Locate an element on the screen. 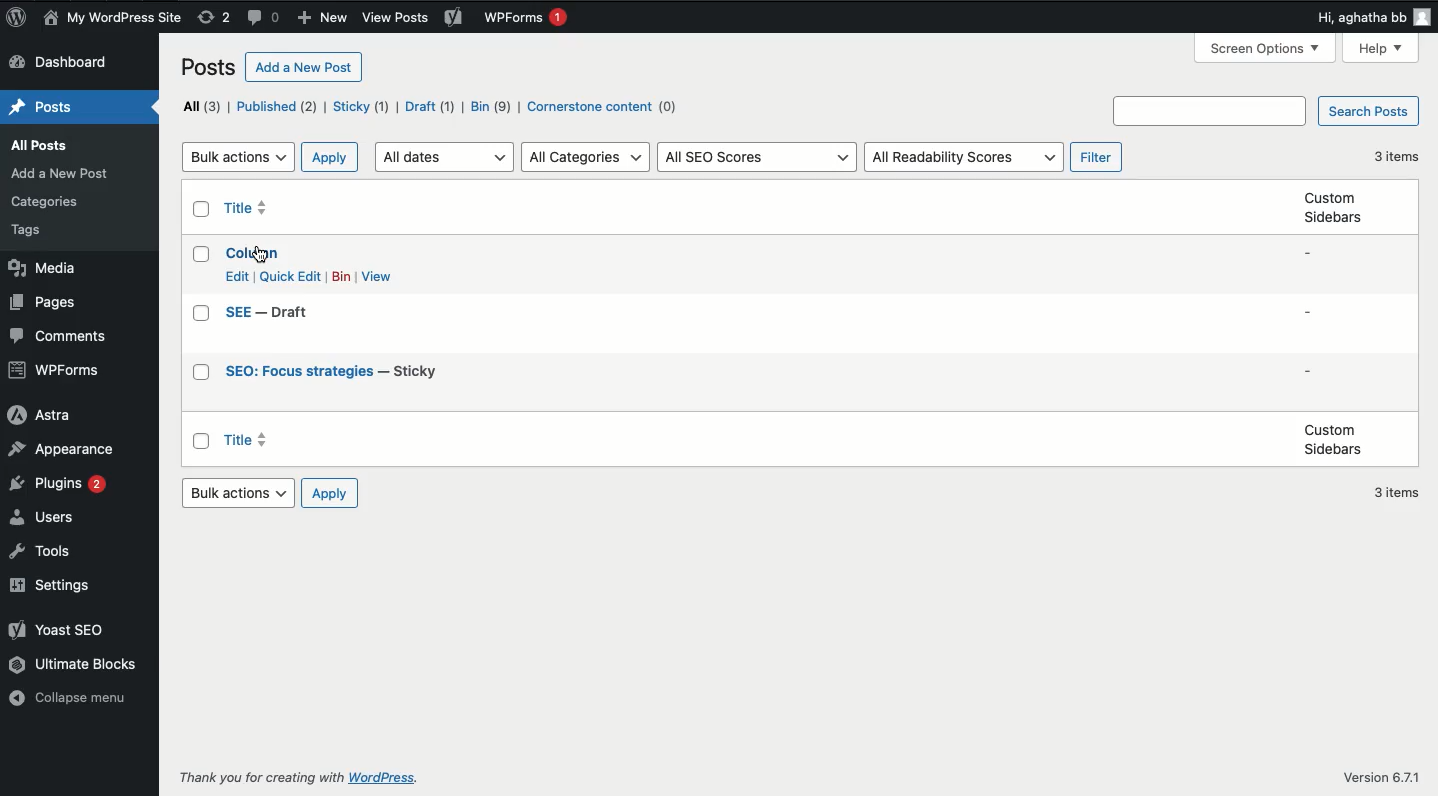 The image size is (1438, 796). Bin is located at coordinates (343, 277).